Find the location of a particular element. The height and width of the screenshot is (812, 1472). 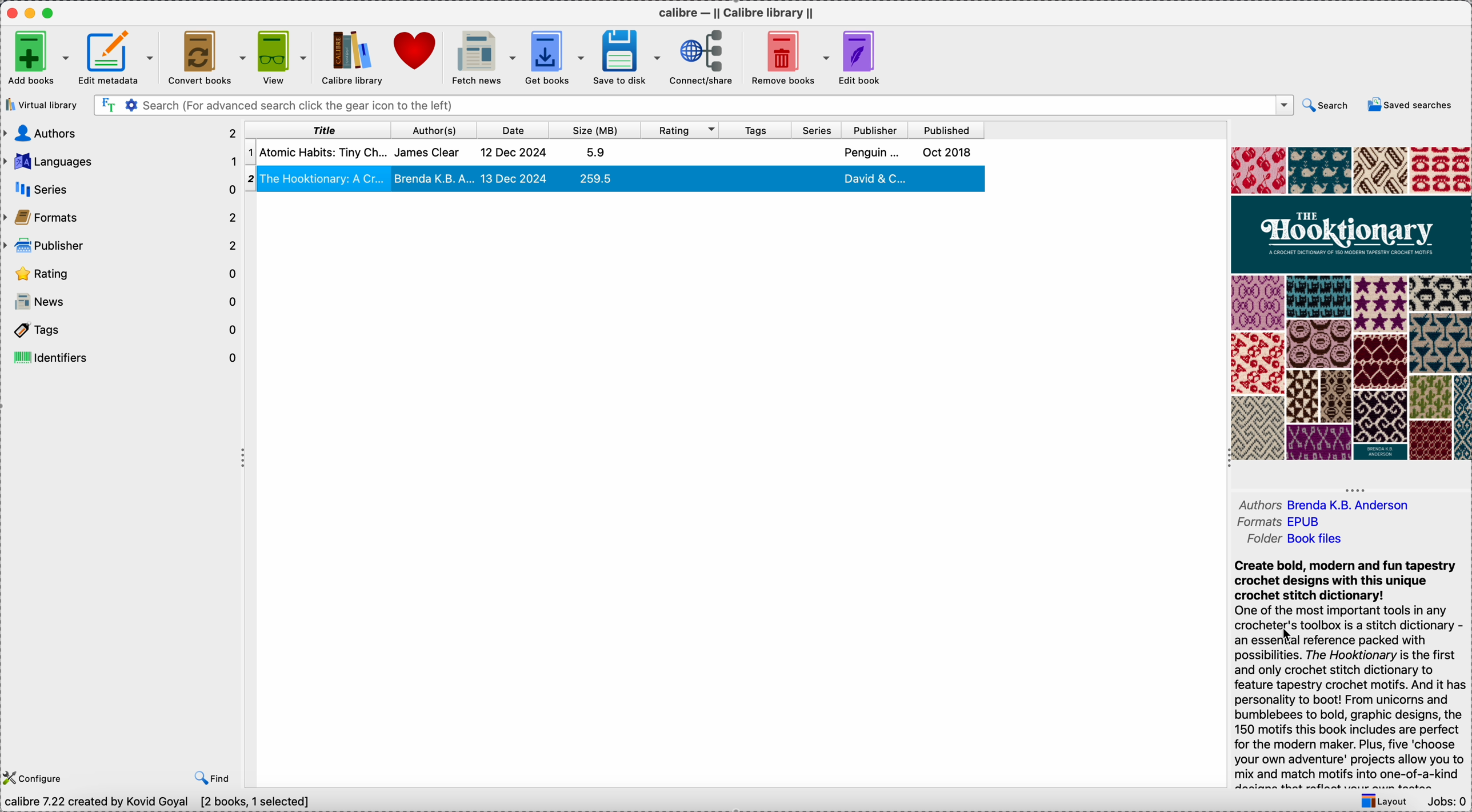

add books is located at coordinates (38, 59).